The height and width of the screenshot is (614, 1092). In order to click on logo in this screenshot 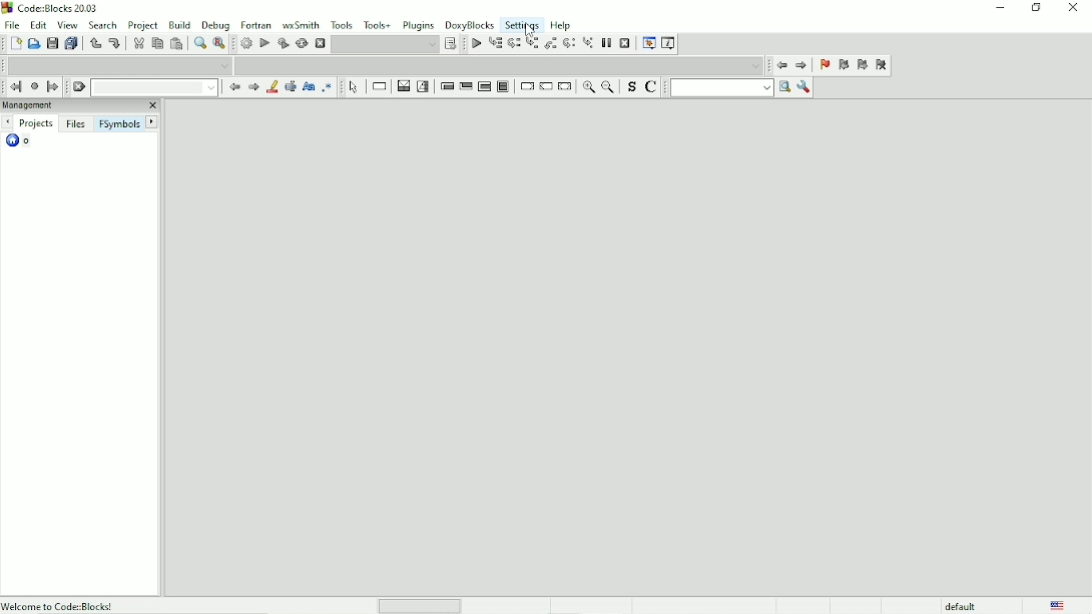, I will do `click(8, 8)`.